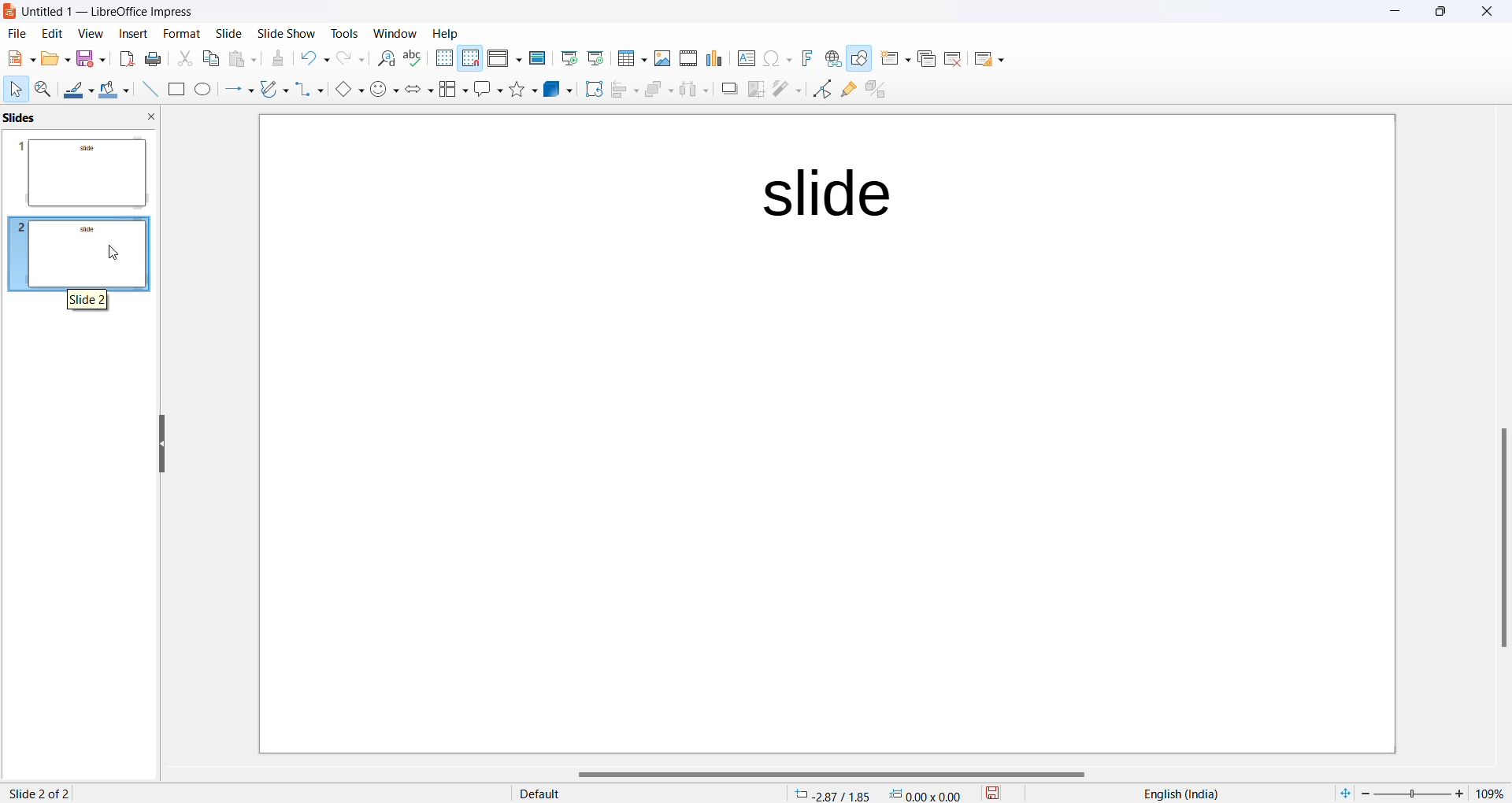 The width and height of the screenshot is (1512, 803). I want to click on hide left sidebar, so click(163, 442).